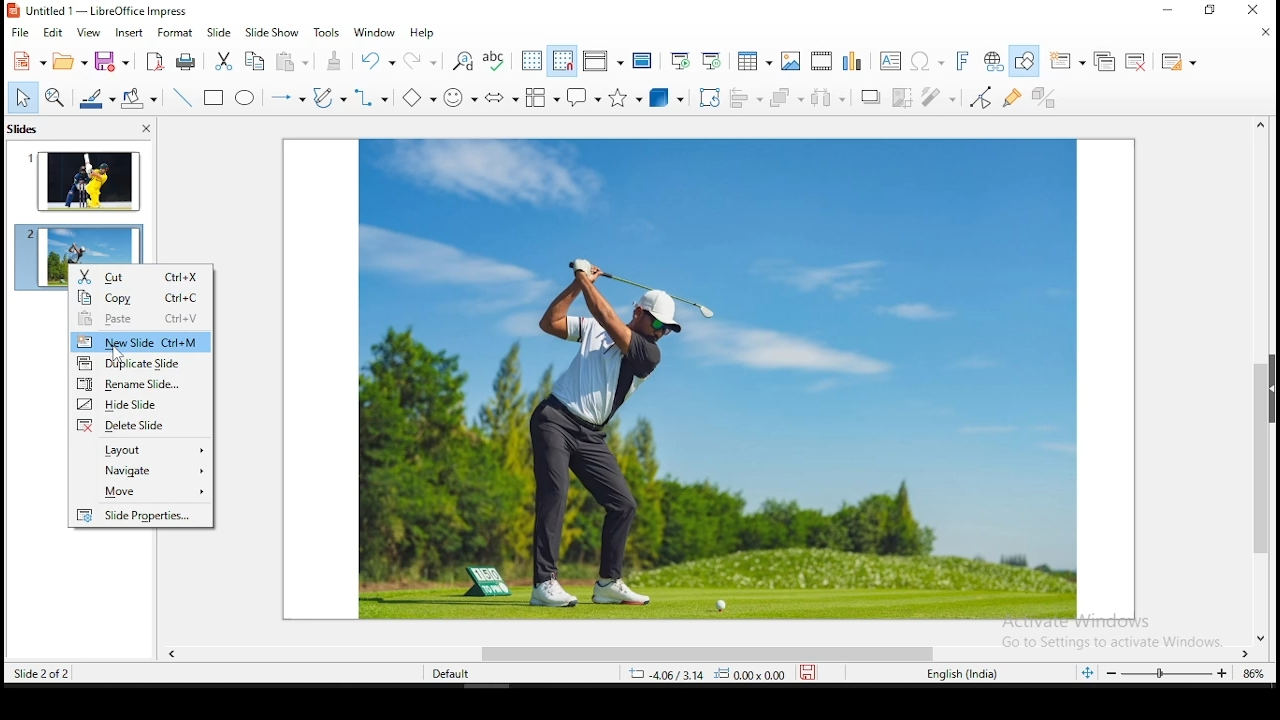 This screenshot has height=720, width=1280. Describe the element at coordinates (141, 472) in the screenshot. I see `Navigate` at that location.